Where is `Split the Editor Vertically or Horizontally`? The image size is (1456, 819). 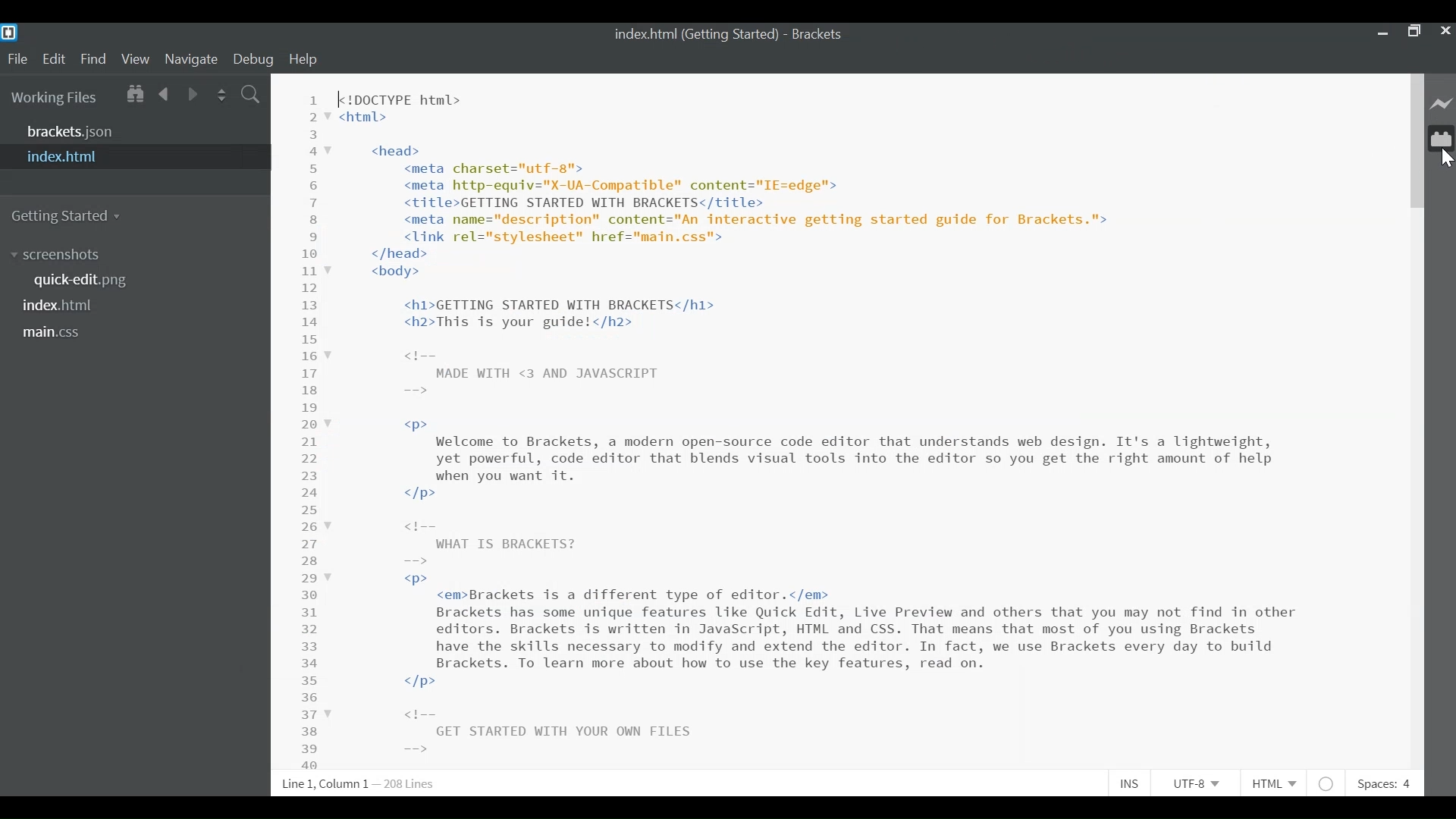 Split the Editor Vertically or Horizontally is located at coordinates (224, 93).